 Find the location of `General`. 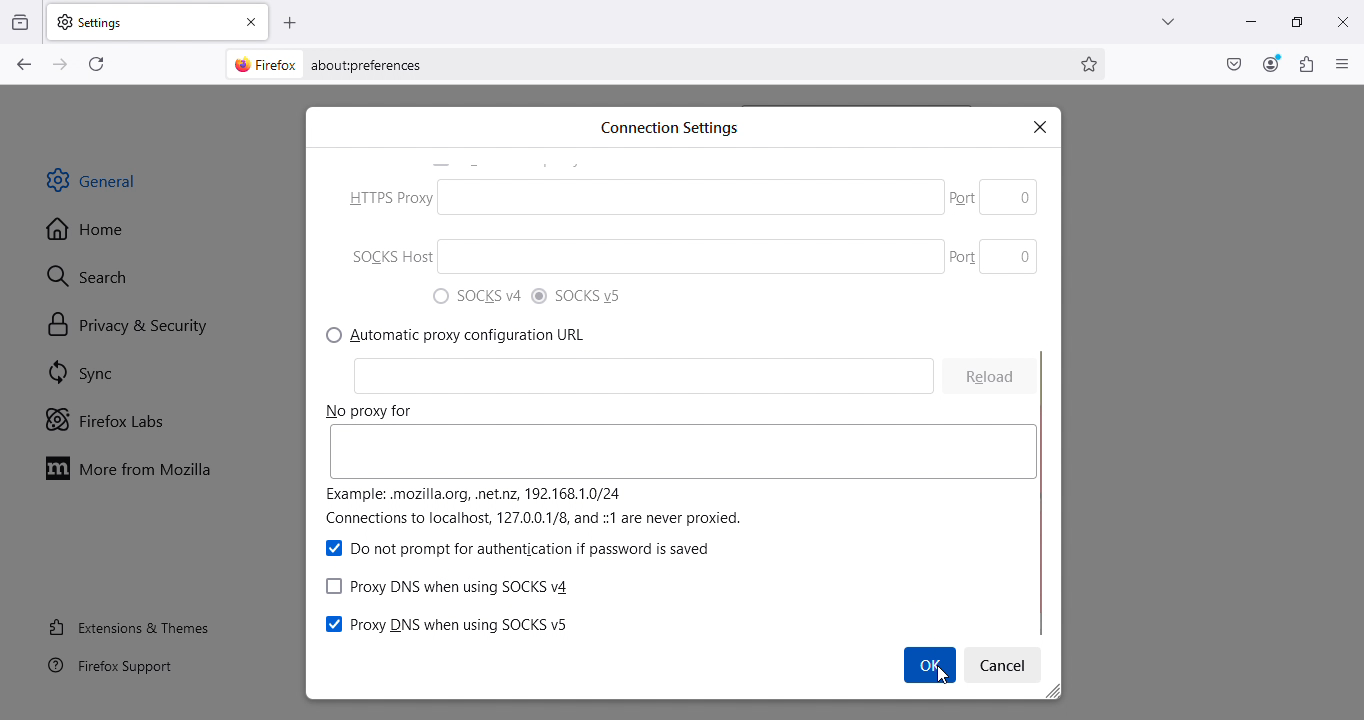

General is located at coordinates (98, 179).